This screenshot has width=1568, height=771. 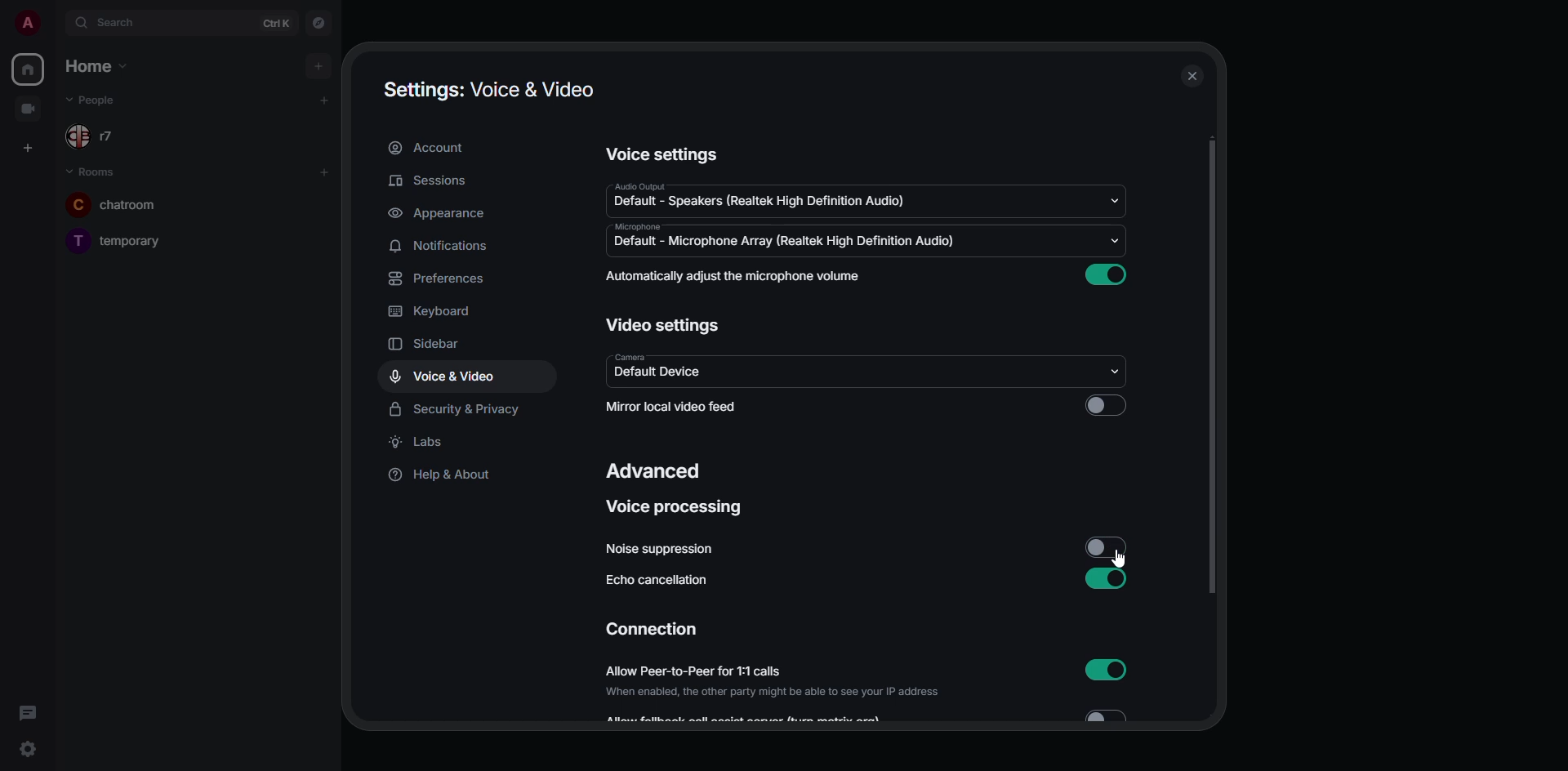 I want to click on enabled, so click(x=1109, y=577).